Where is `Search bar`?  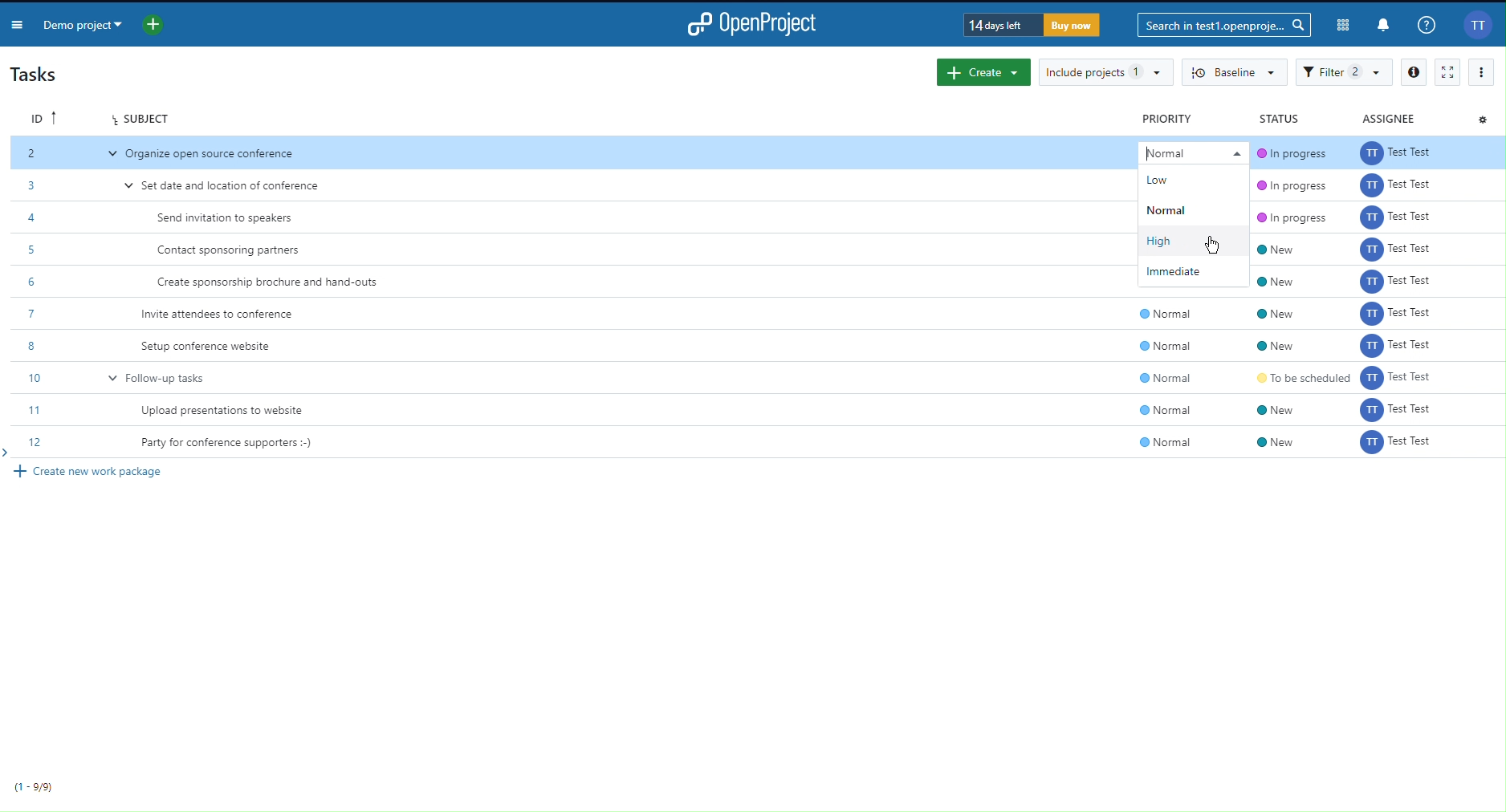
Search bar is located at coordinates (1223, 26).